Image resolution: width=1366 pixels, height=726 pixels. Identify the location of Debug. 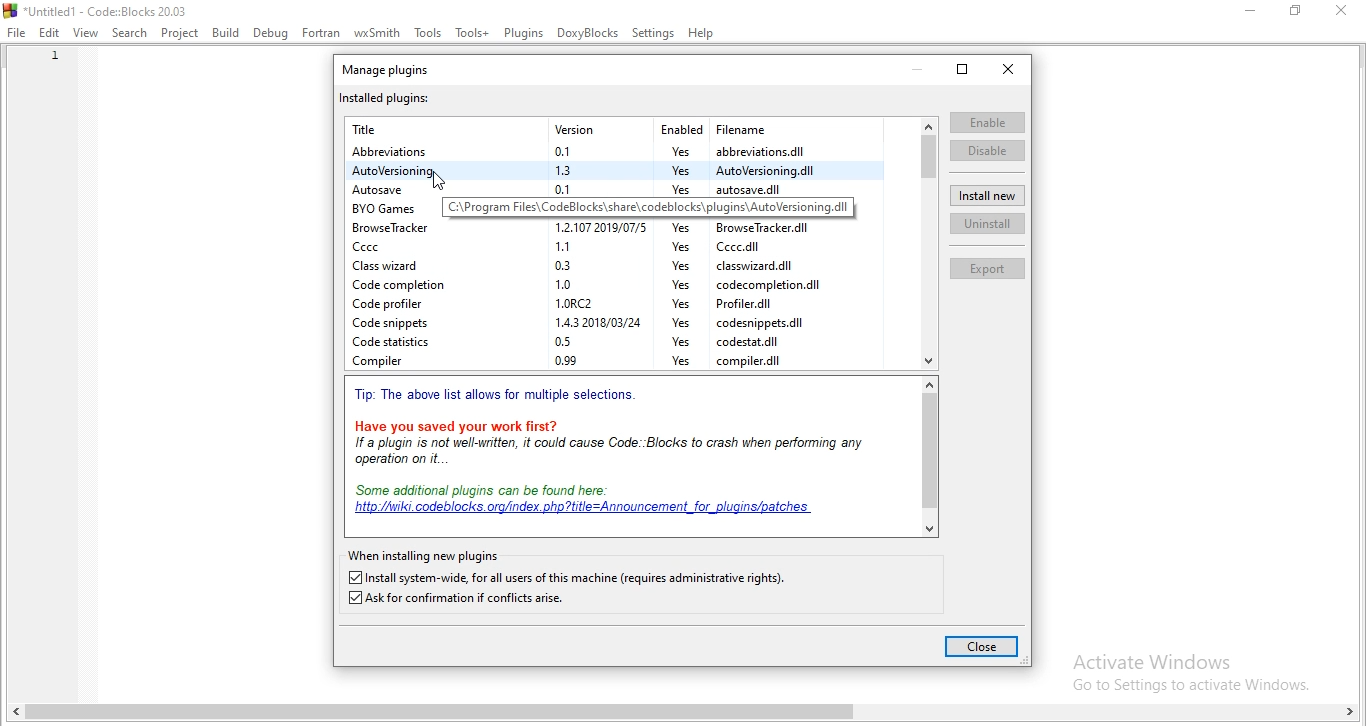
(270, 34).